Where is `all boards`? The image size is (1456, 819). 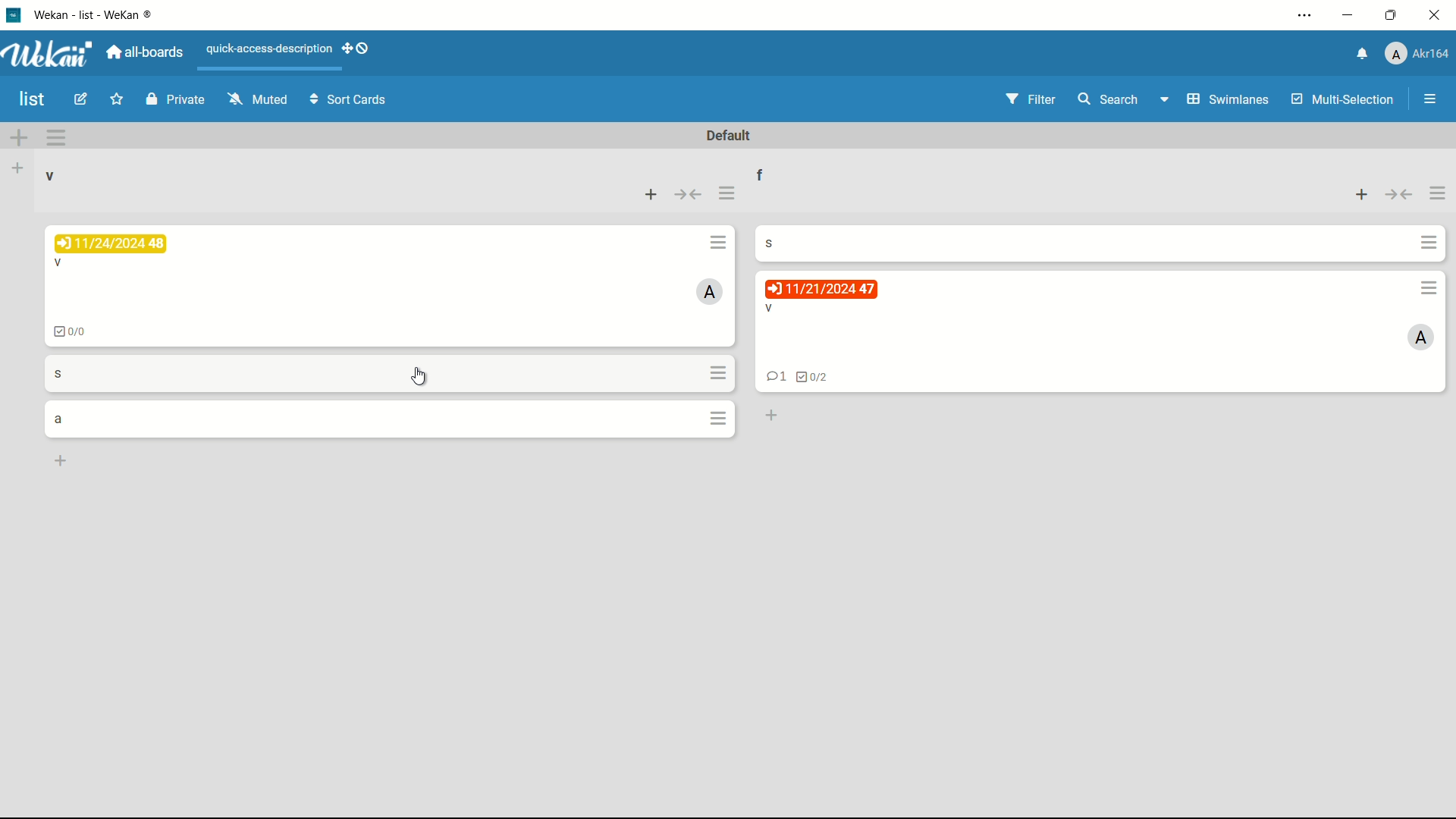
all boards is located at coordinates (144, 52).